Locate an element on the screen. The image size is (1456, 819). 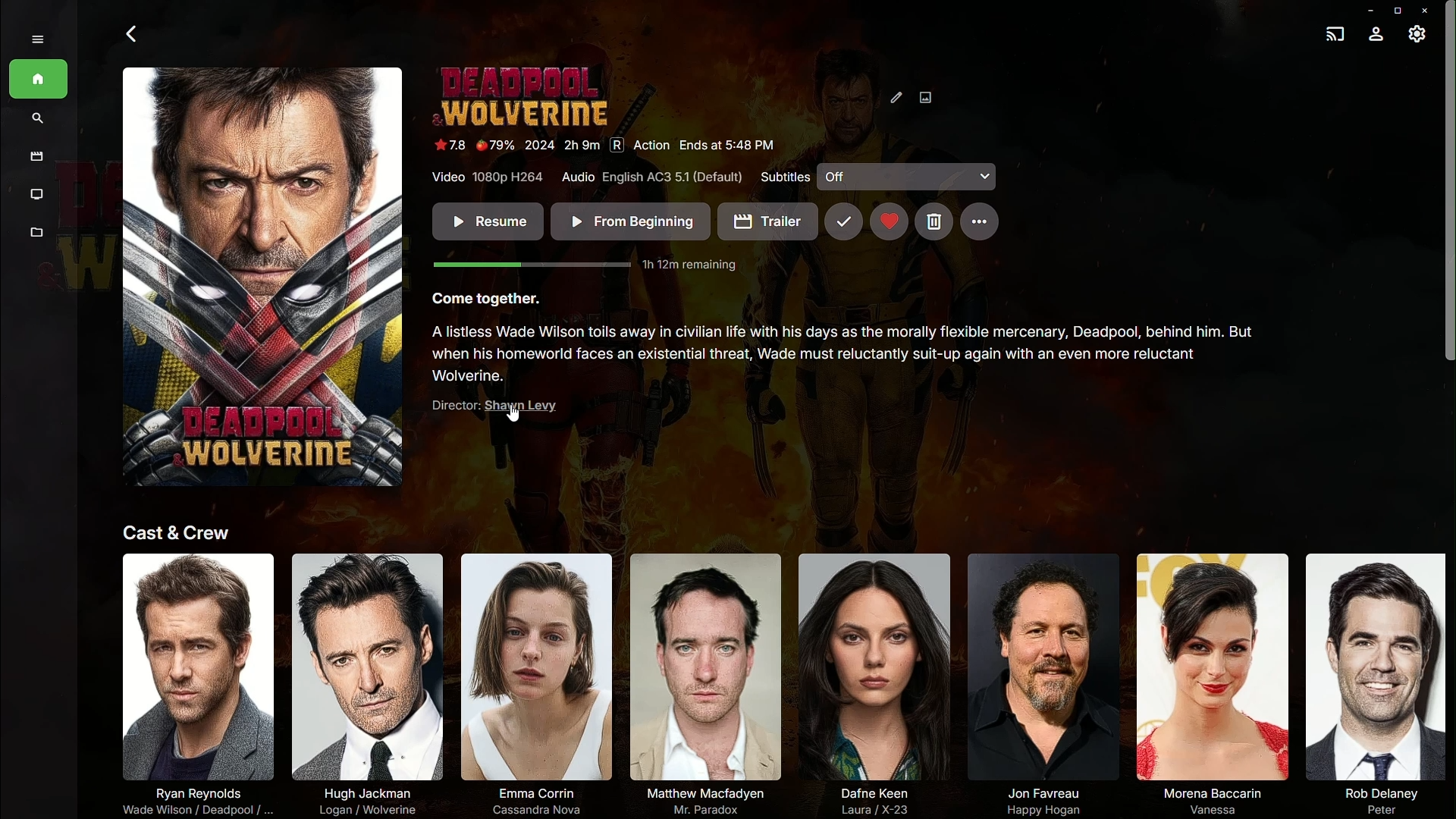
Audio Details is located at coordinates (651, 176).